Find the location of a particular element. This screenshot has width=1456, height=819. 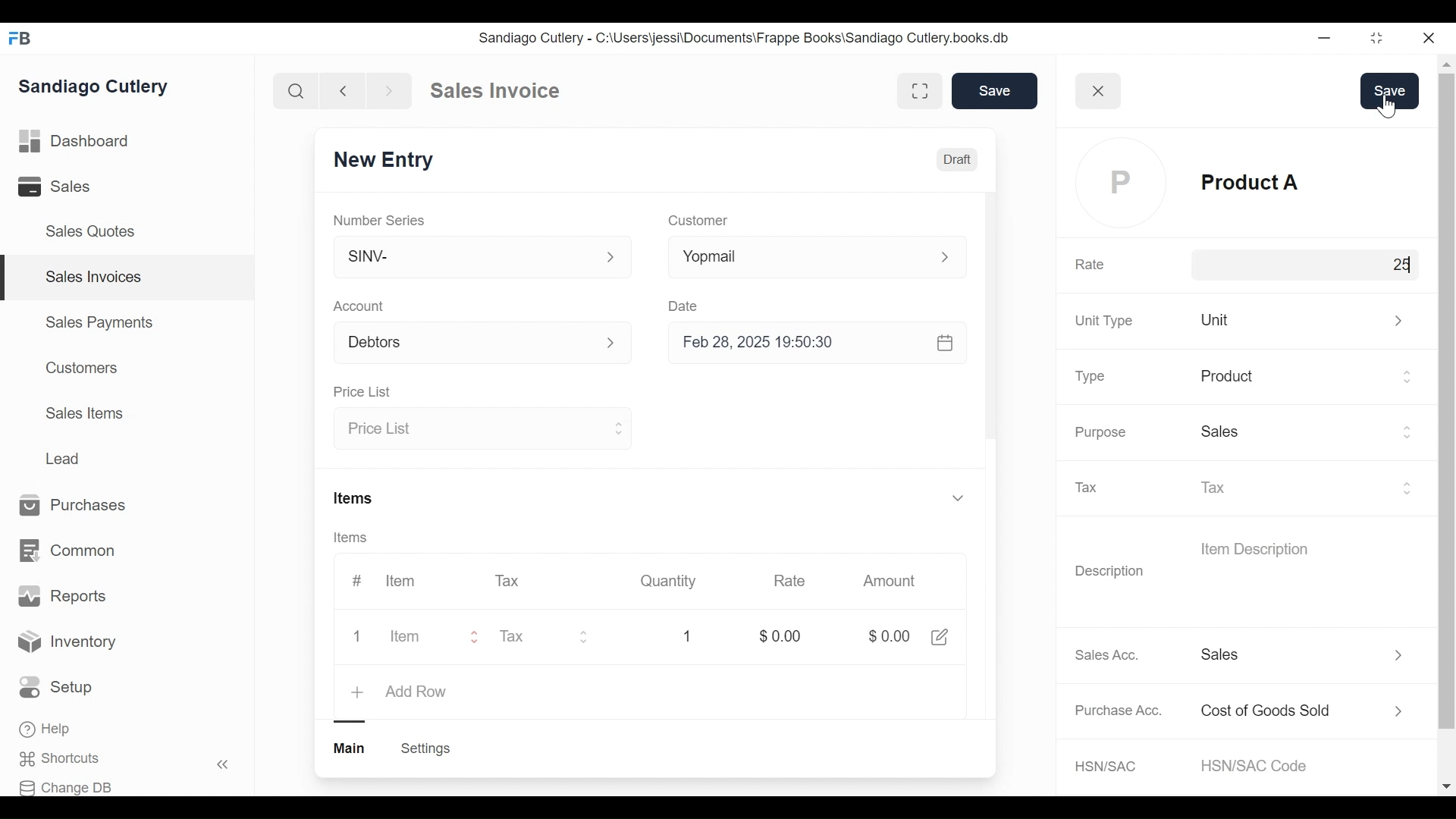

unit is located at coordinates (1307, 319).